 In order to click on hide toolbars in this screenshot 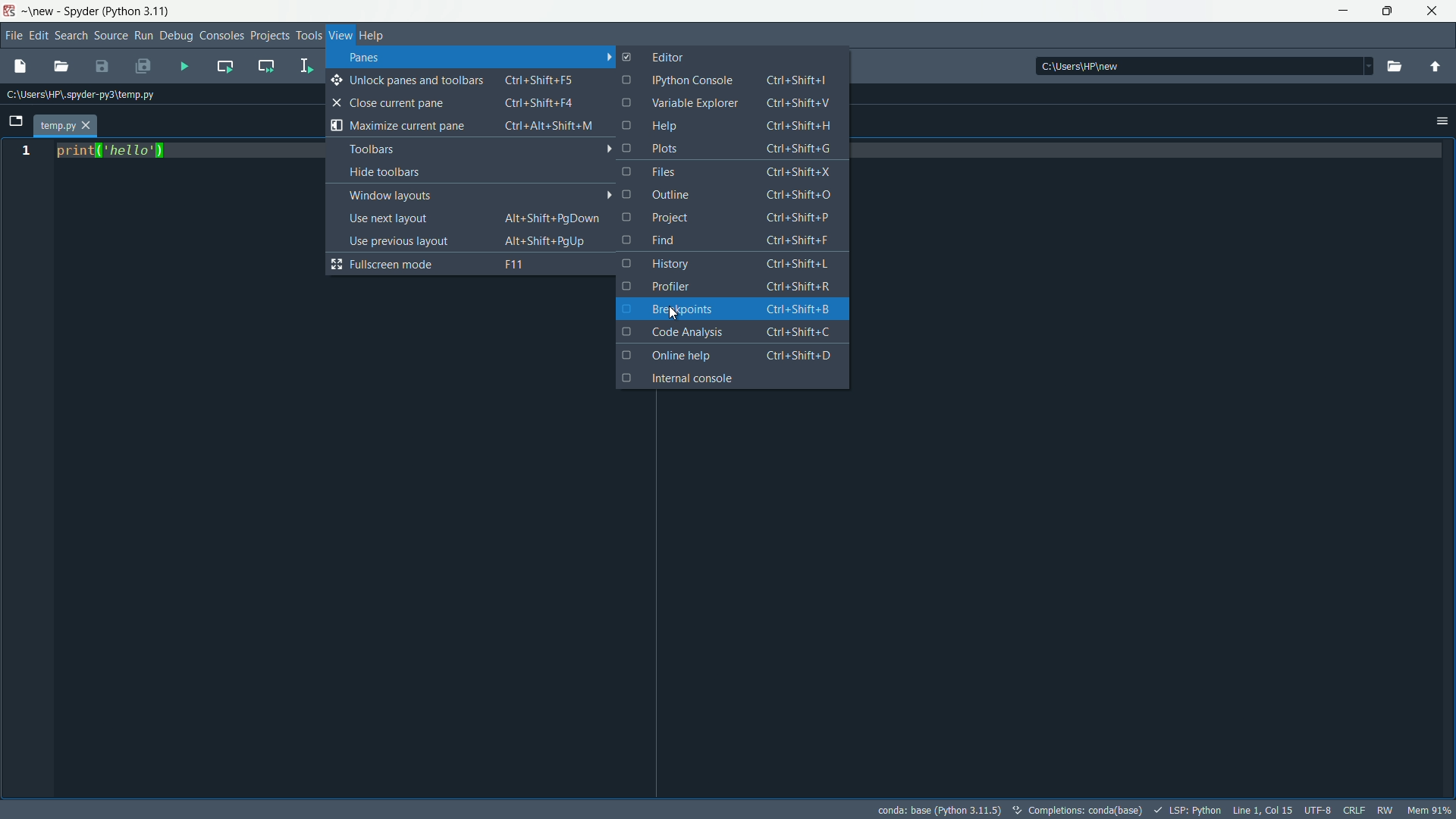, I will do `click(479, 173)`.